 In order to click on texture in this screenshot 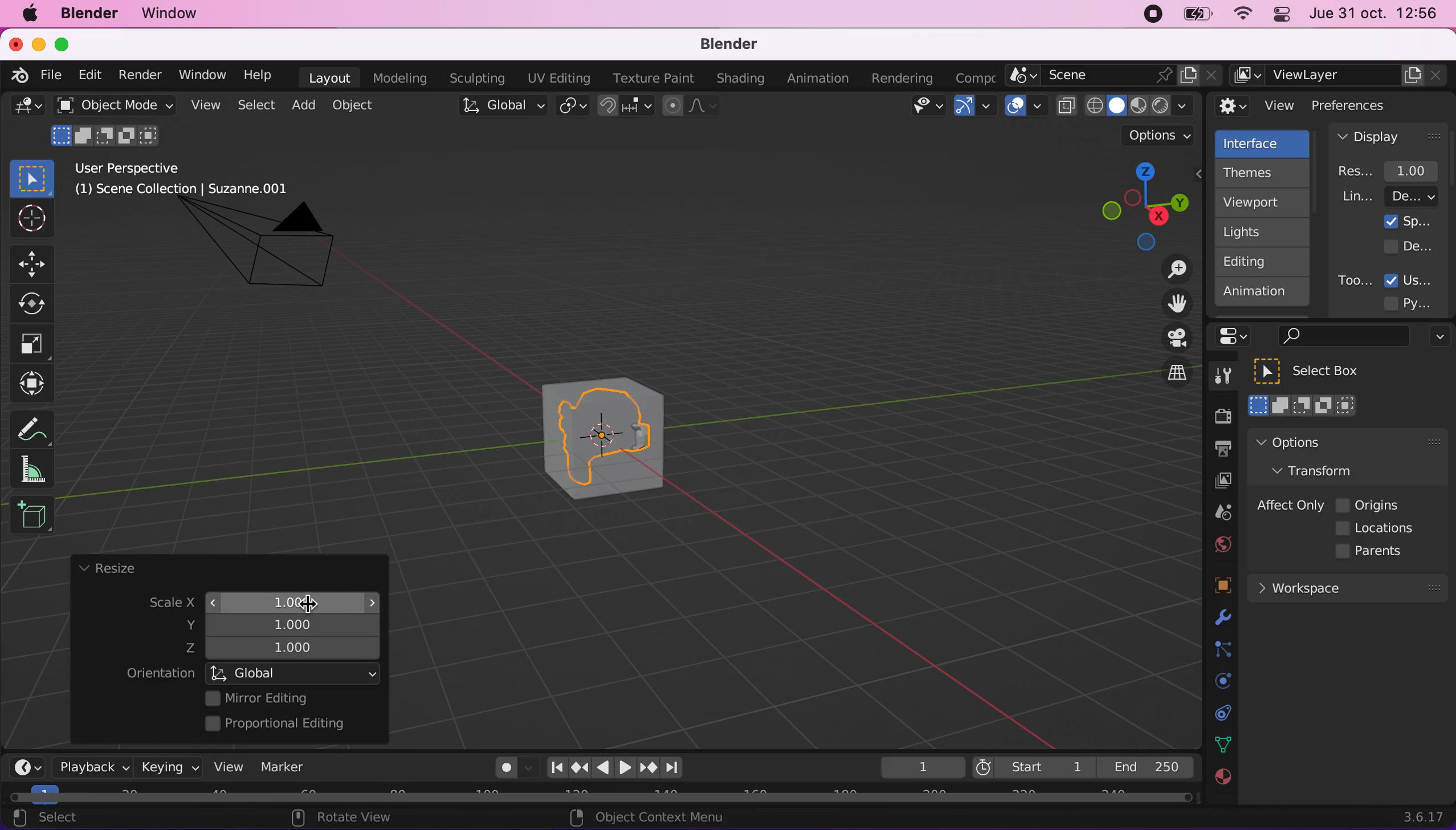, I will do `click(1221, 783)`.